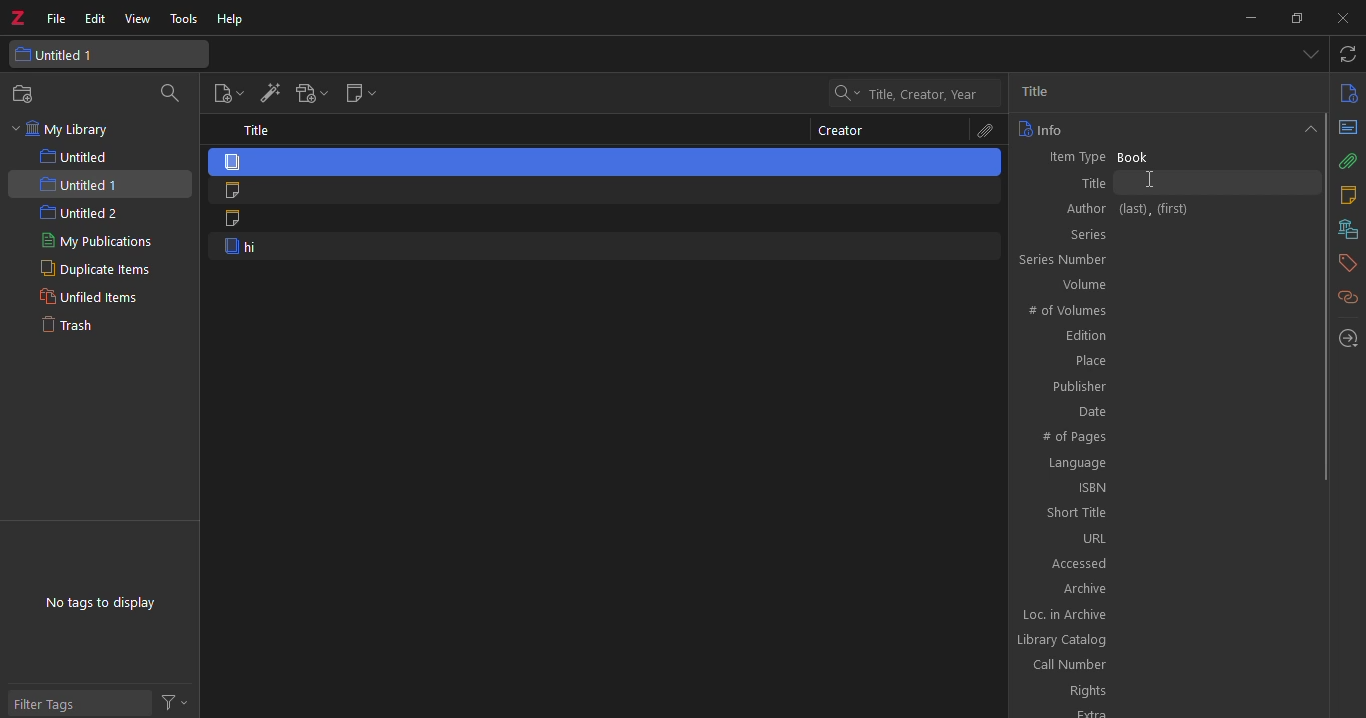 The width and height of the screenshot is (1366, 718). I want to click on Author: (Last), (First), so click(1165, 209).